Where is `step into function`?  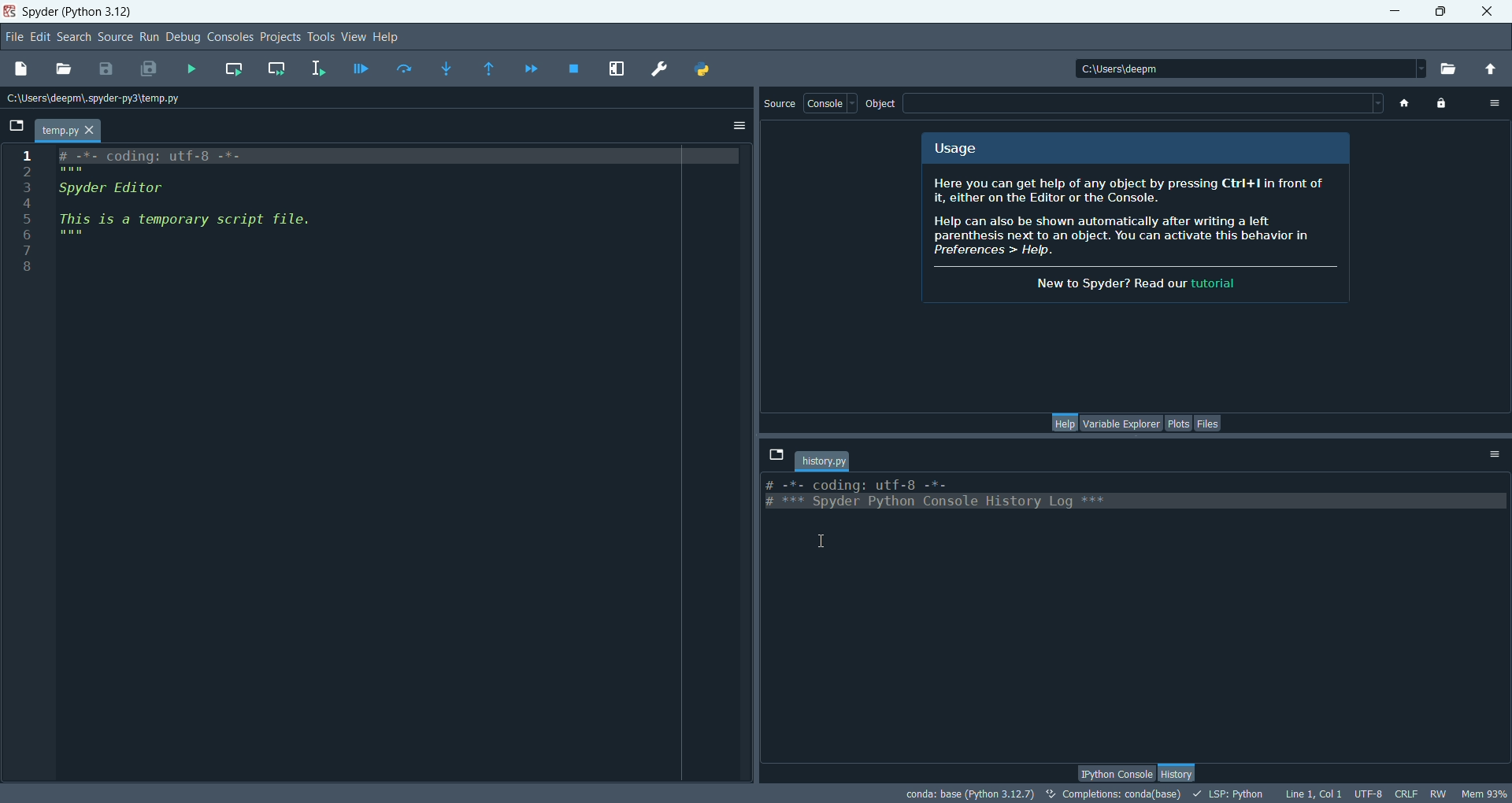
step into function is located at coordinates (448, 68).